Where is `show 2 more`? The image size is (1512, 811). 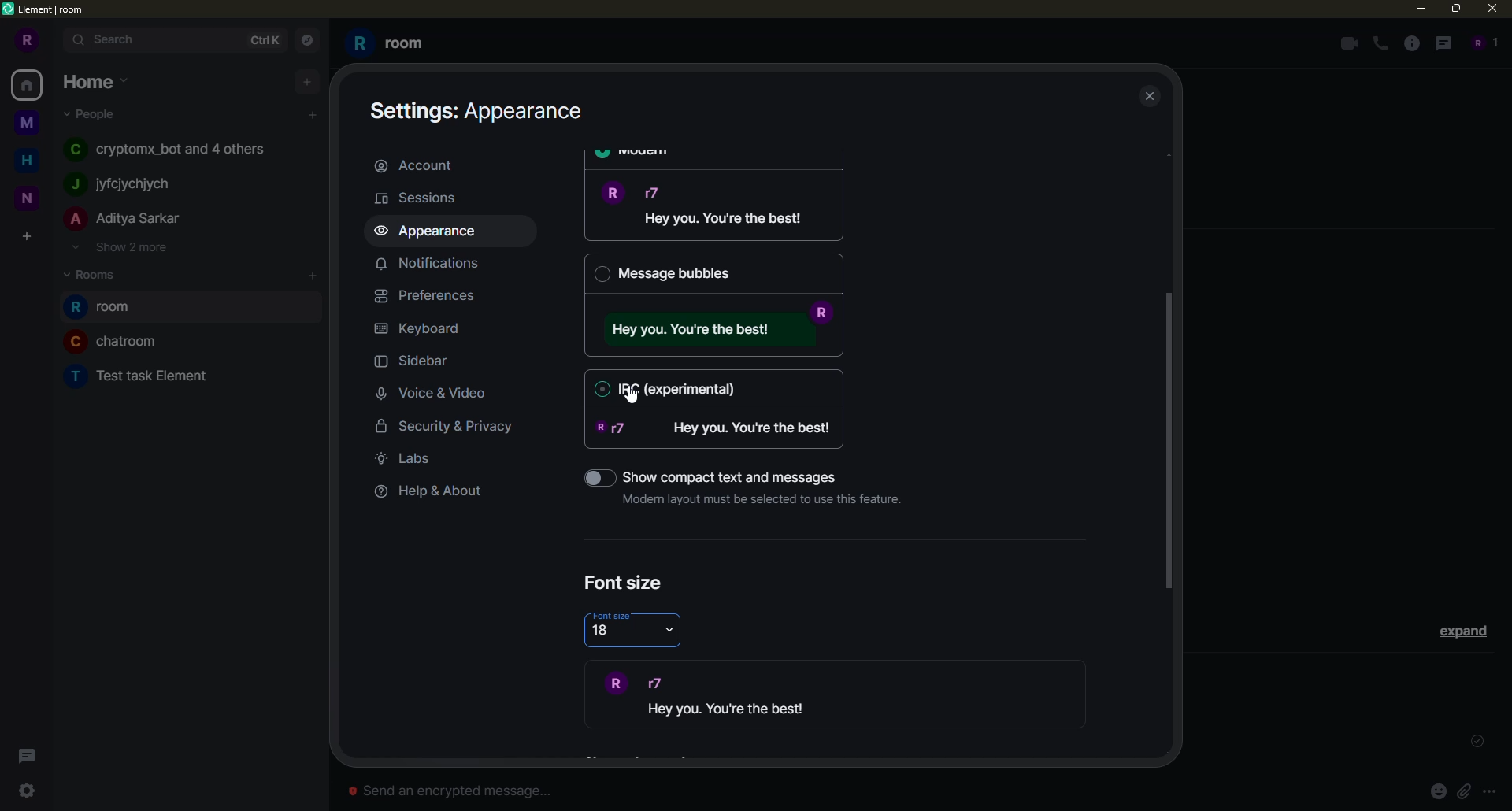 show 2 more is located at coordinates (115, 247).